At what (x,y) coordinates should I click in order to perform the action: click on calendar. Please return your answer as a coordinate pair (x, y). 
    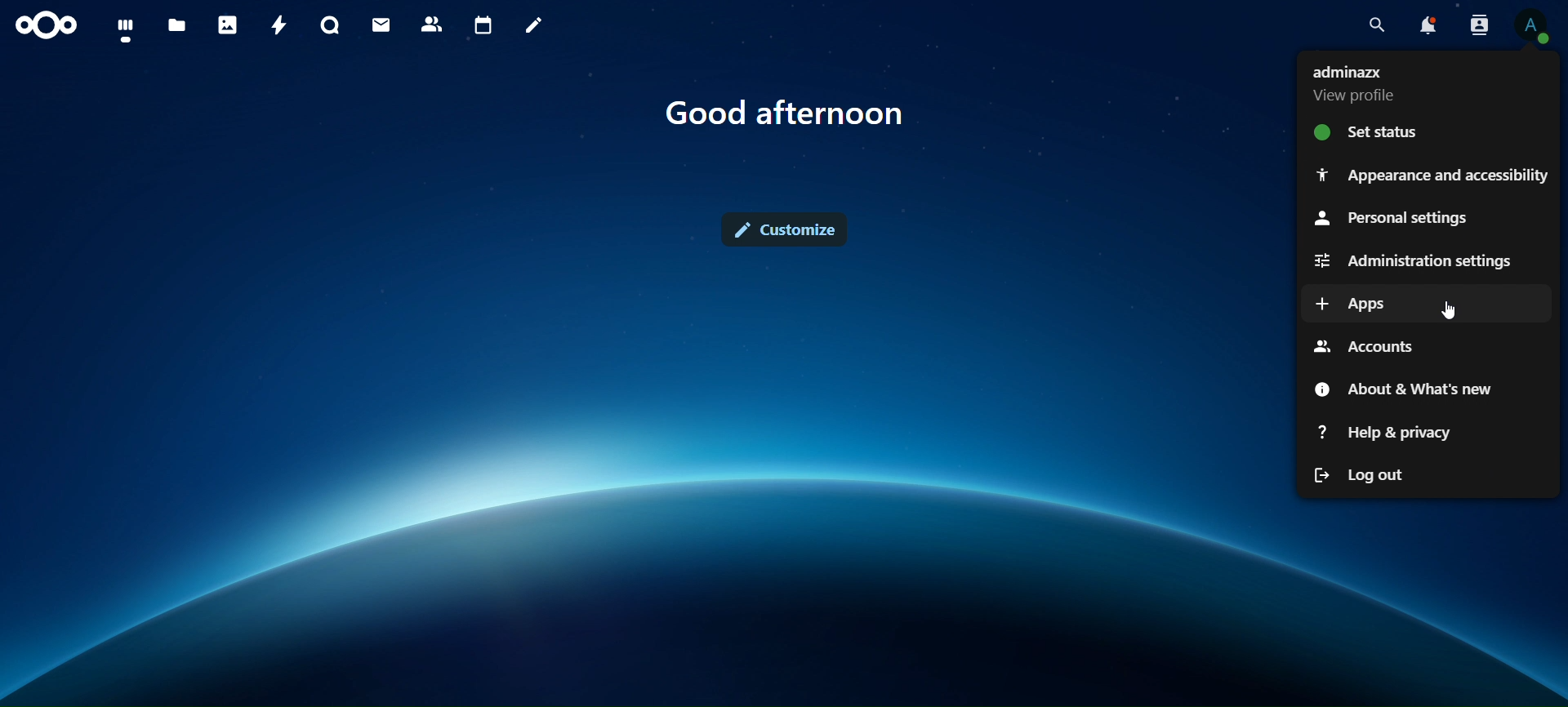
    Looking at the image, I should click on (484, 26).